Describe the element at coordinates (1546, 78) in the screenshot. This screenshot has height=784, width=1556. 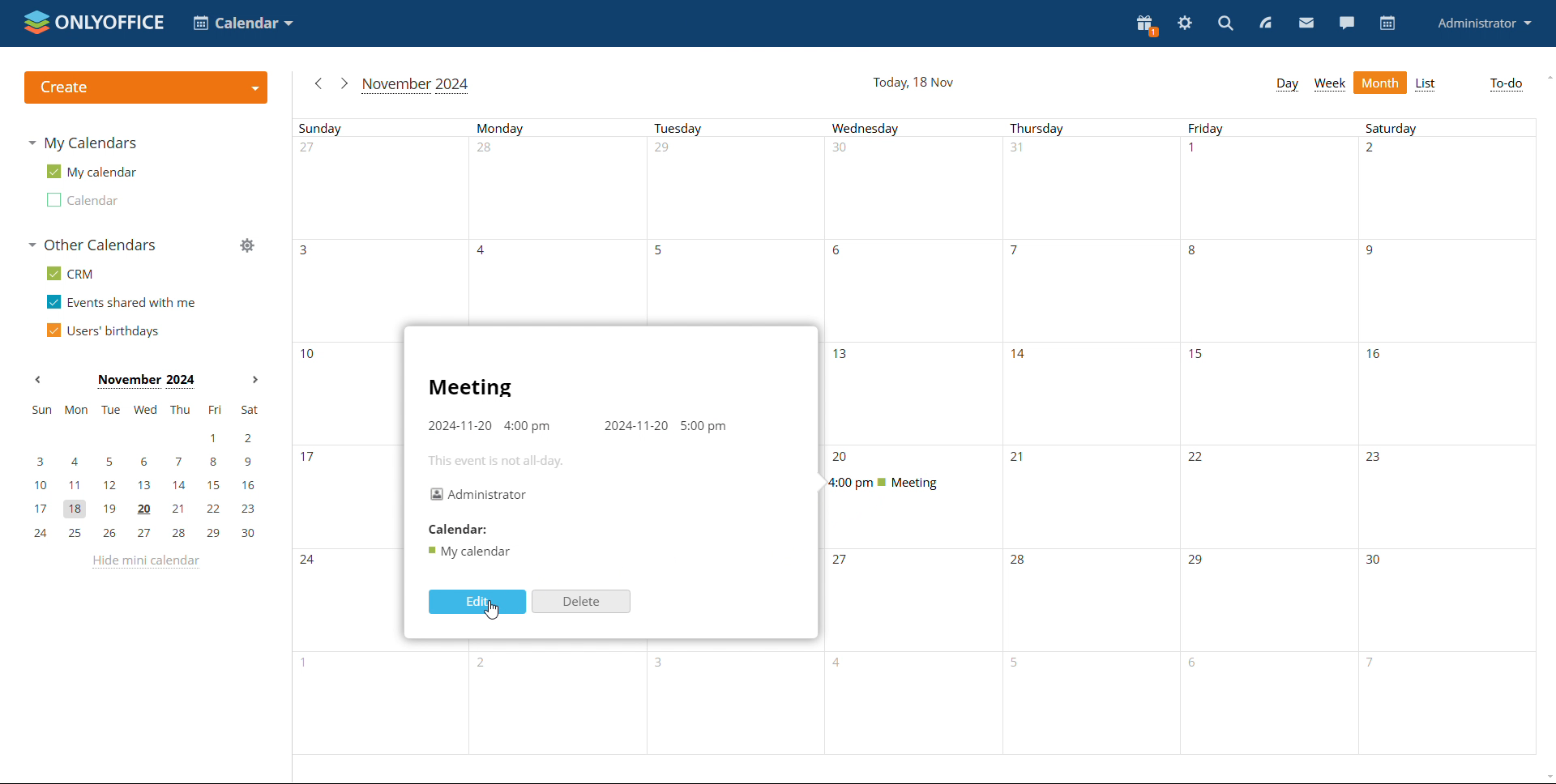
I see `scroll up` at that location.